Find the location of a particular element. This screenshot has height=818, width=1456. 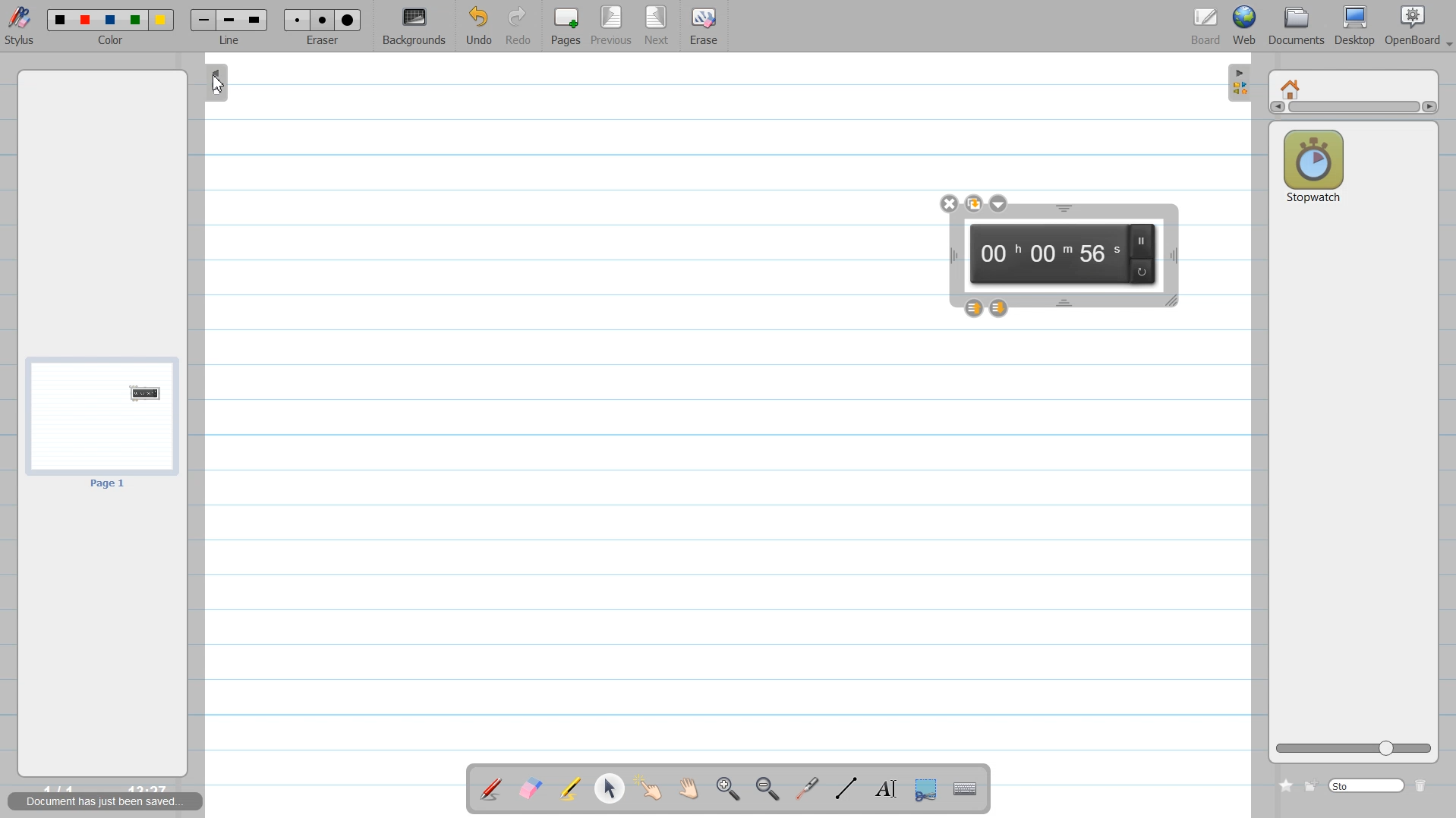

Duplicate  is located at coordinates (975, 203).